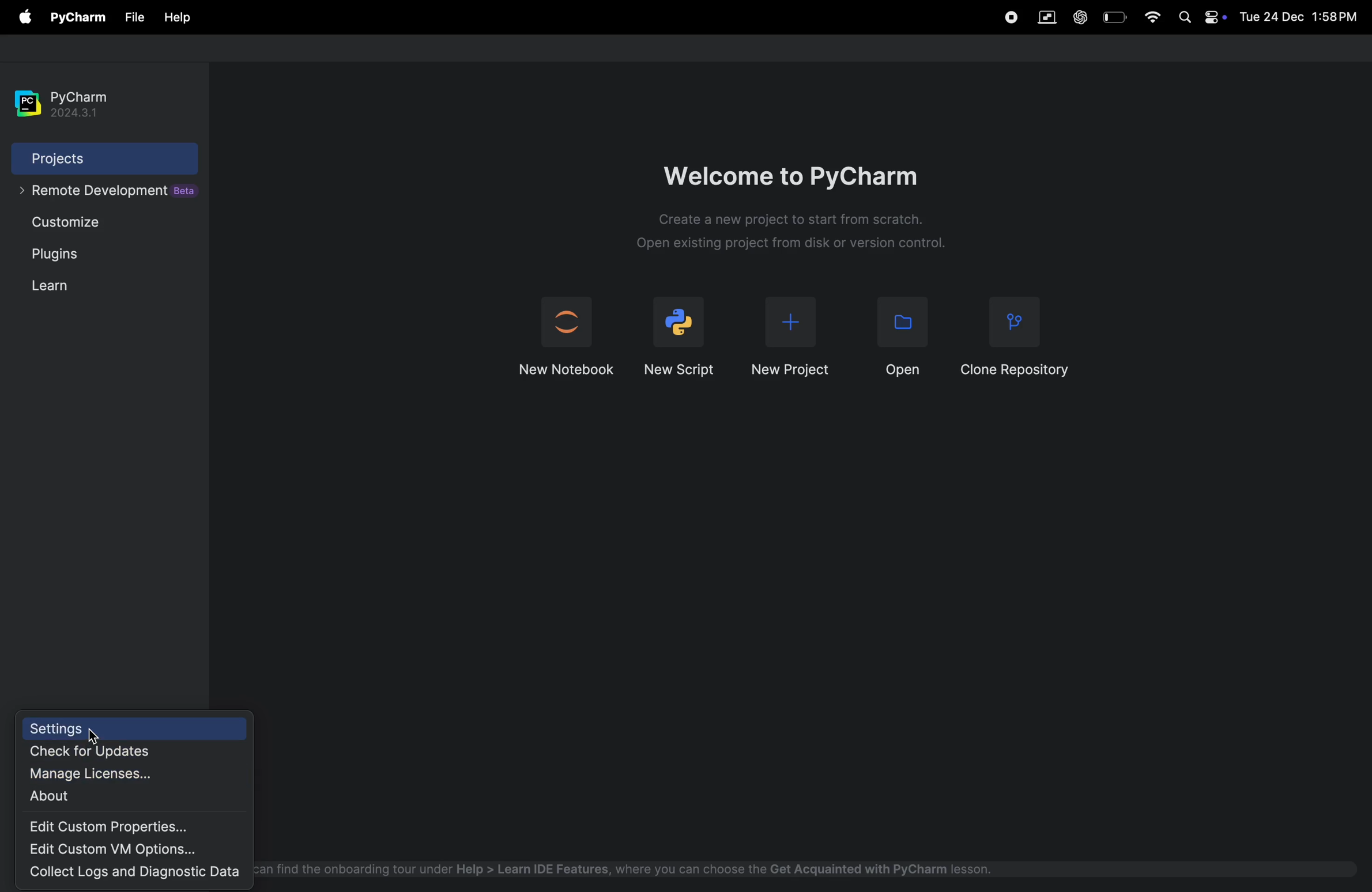 The height and width of the screenshot is (892, 1372). I want to click on file, so click(135, 17).